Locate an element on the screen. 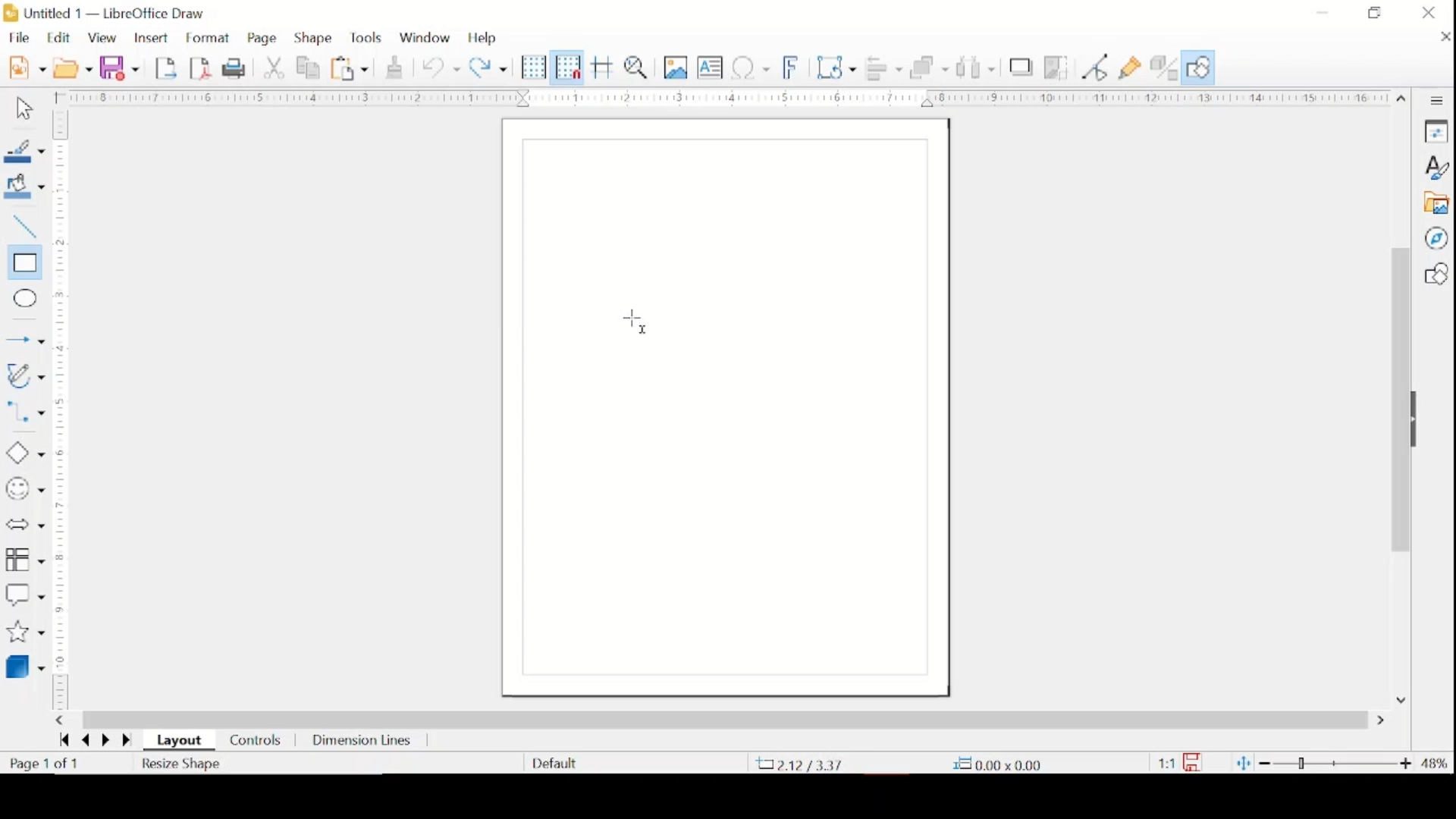 The image size is (1456, 819). display grid is located at coordinates (534, 68).